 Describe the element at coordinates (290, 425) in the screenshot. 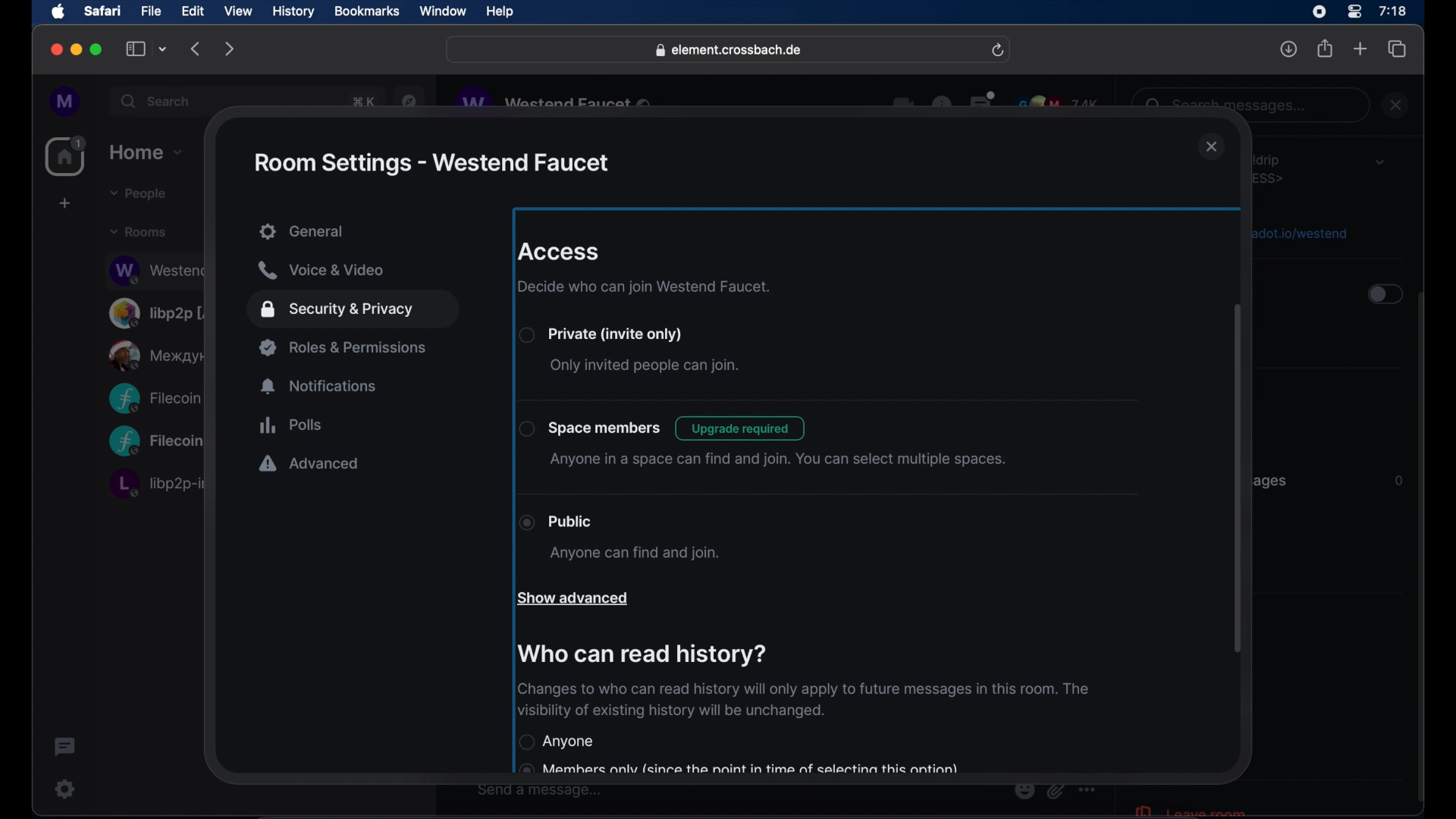

I see `polls` at that location.